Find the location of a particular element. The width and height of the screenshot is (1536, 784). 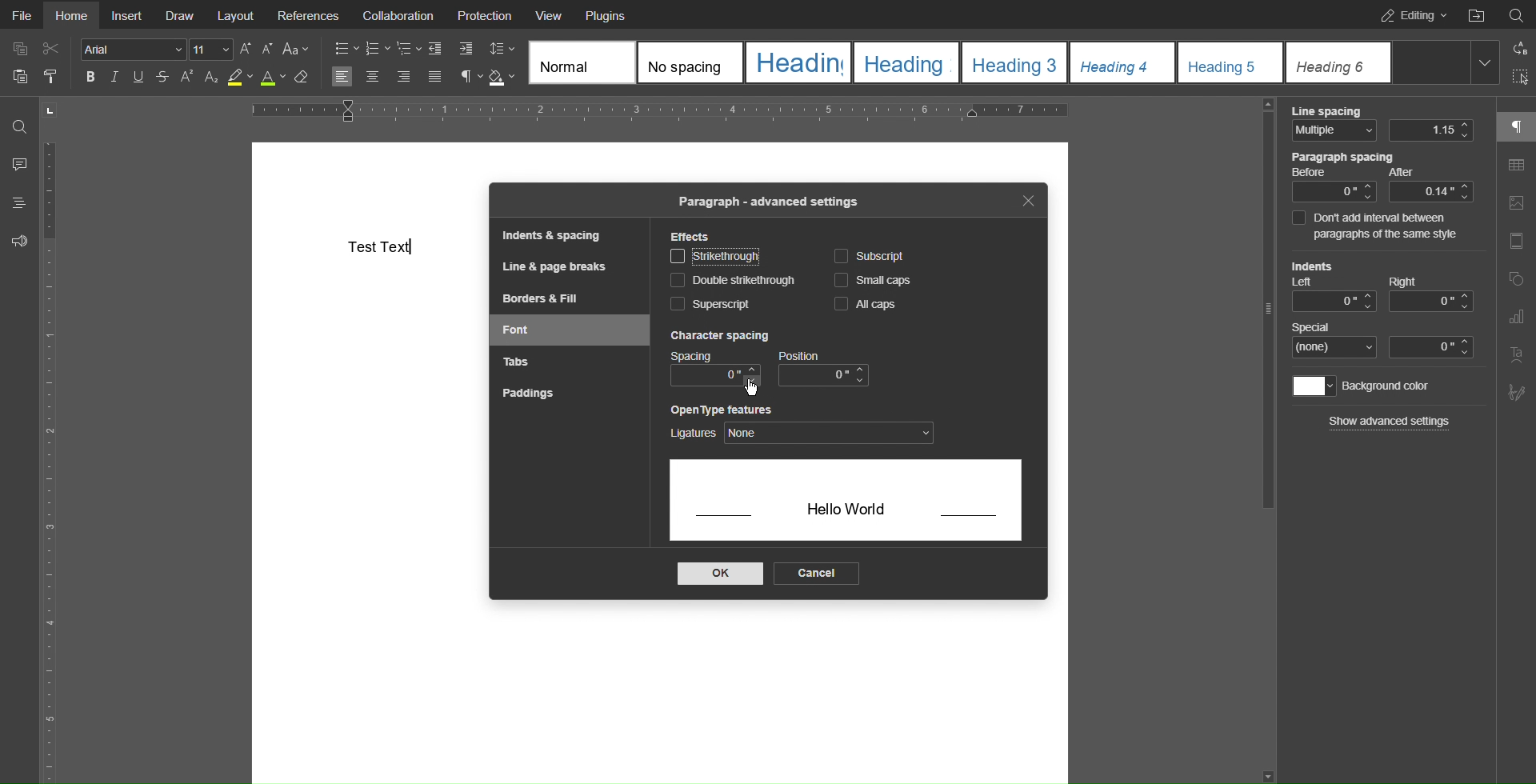

Shape Settings is located at coordinates (1516, 282).